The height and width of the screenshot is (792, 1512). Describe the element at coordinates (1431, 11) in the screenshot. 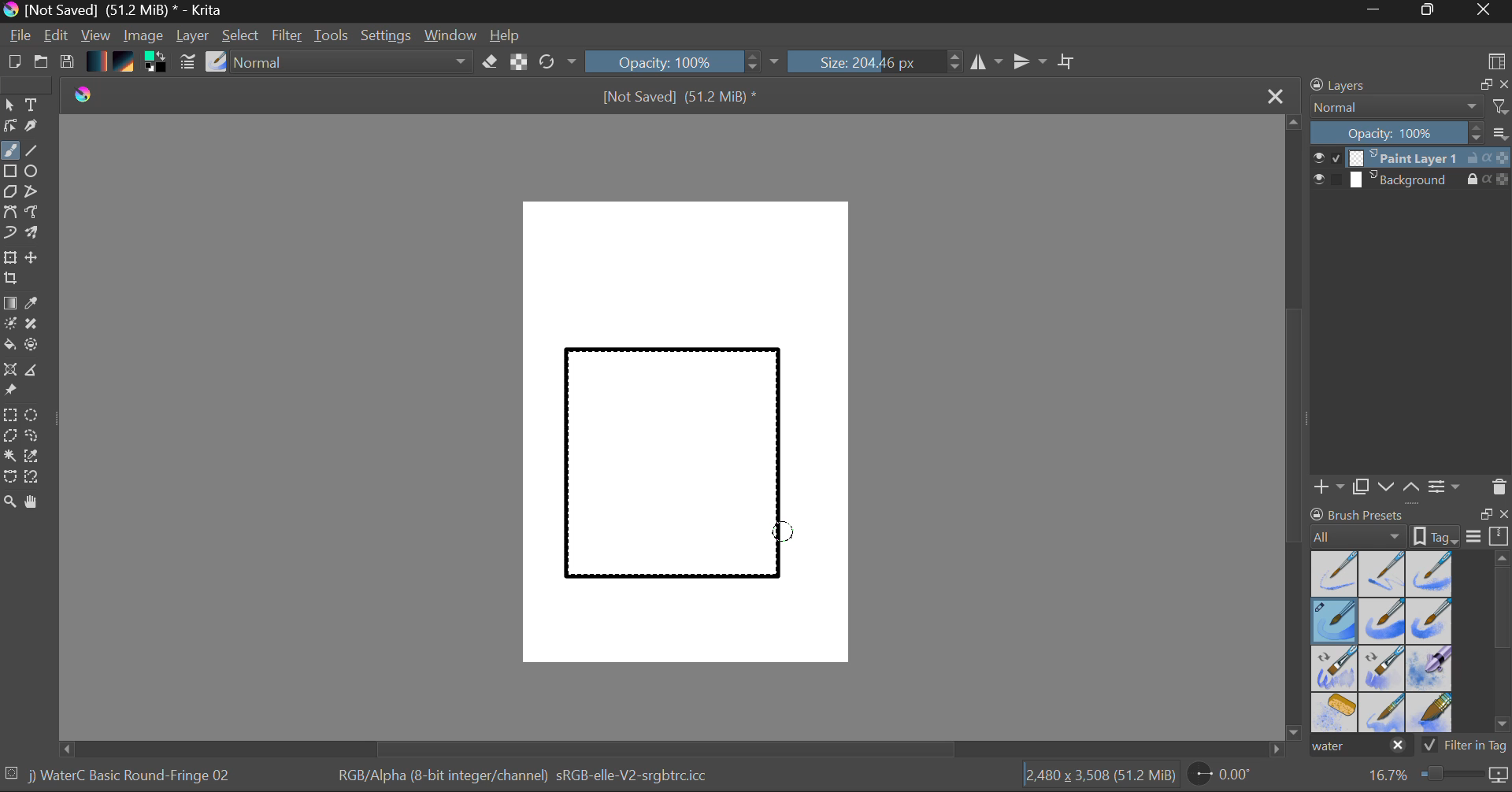

I see `Minimize` at that location.